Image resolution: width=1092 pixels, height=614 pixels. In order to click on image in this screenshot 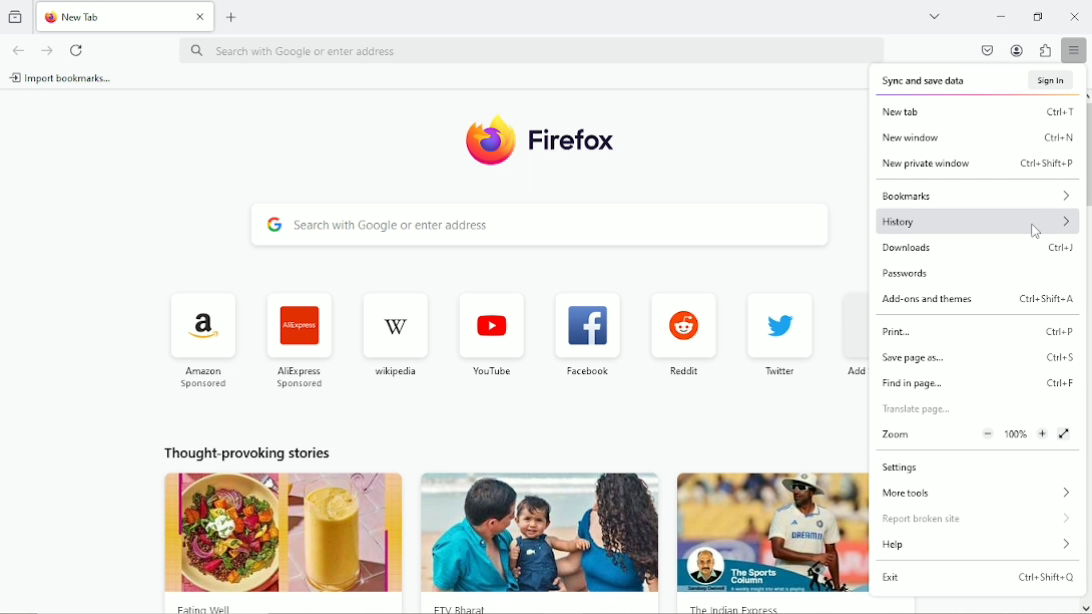, I will do `click(280, 531)`.